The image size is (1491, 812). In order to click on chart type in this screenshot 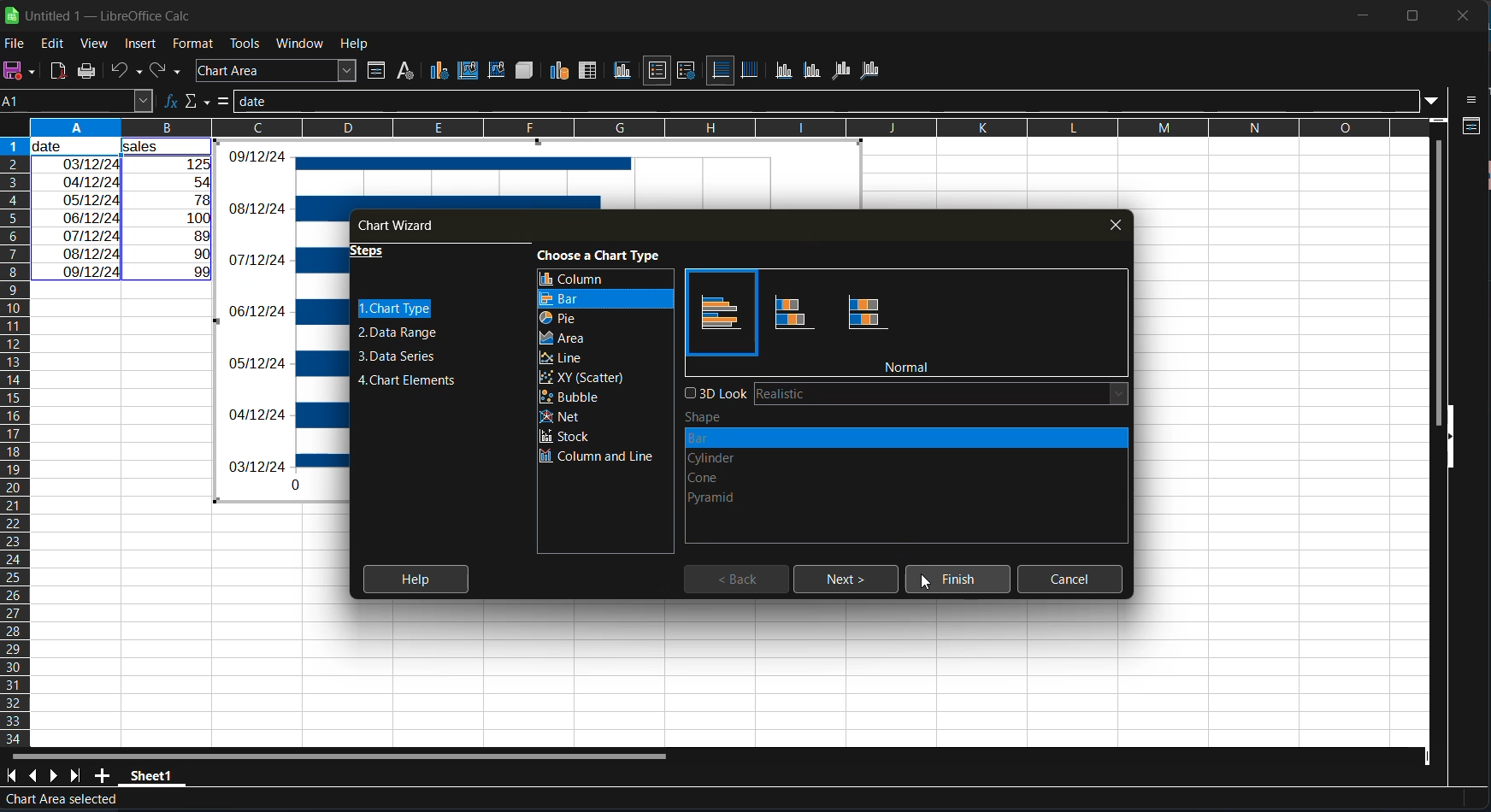, I will do `click(395, 309)`.